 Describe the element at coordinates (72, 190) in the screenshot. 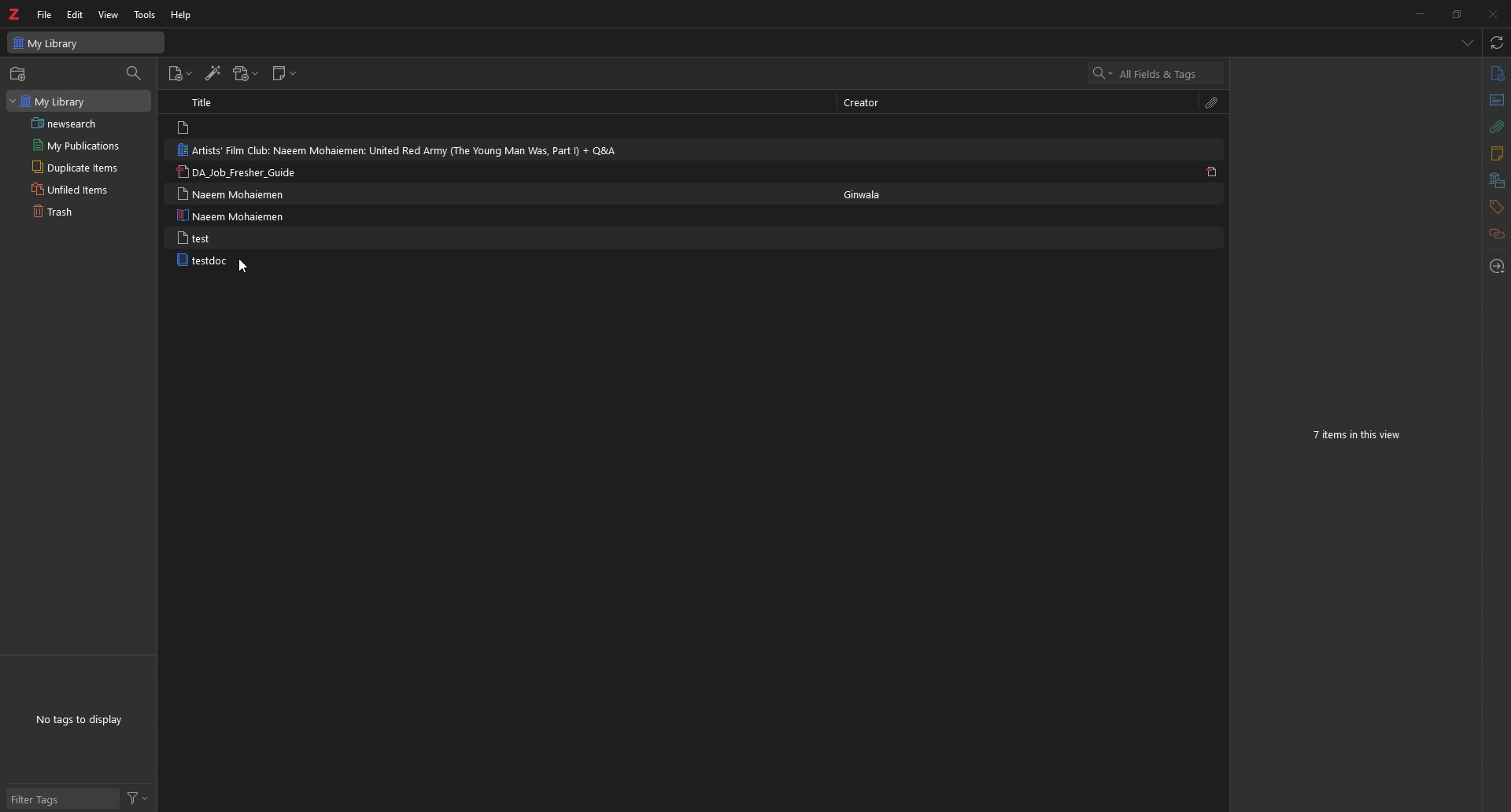

I see `Unfiled Items` at that location.